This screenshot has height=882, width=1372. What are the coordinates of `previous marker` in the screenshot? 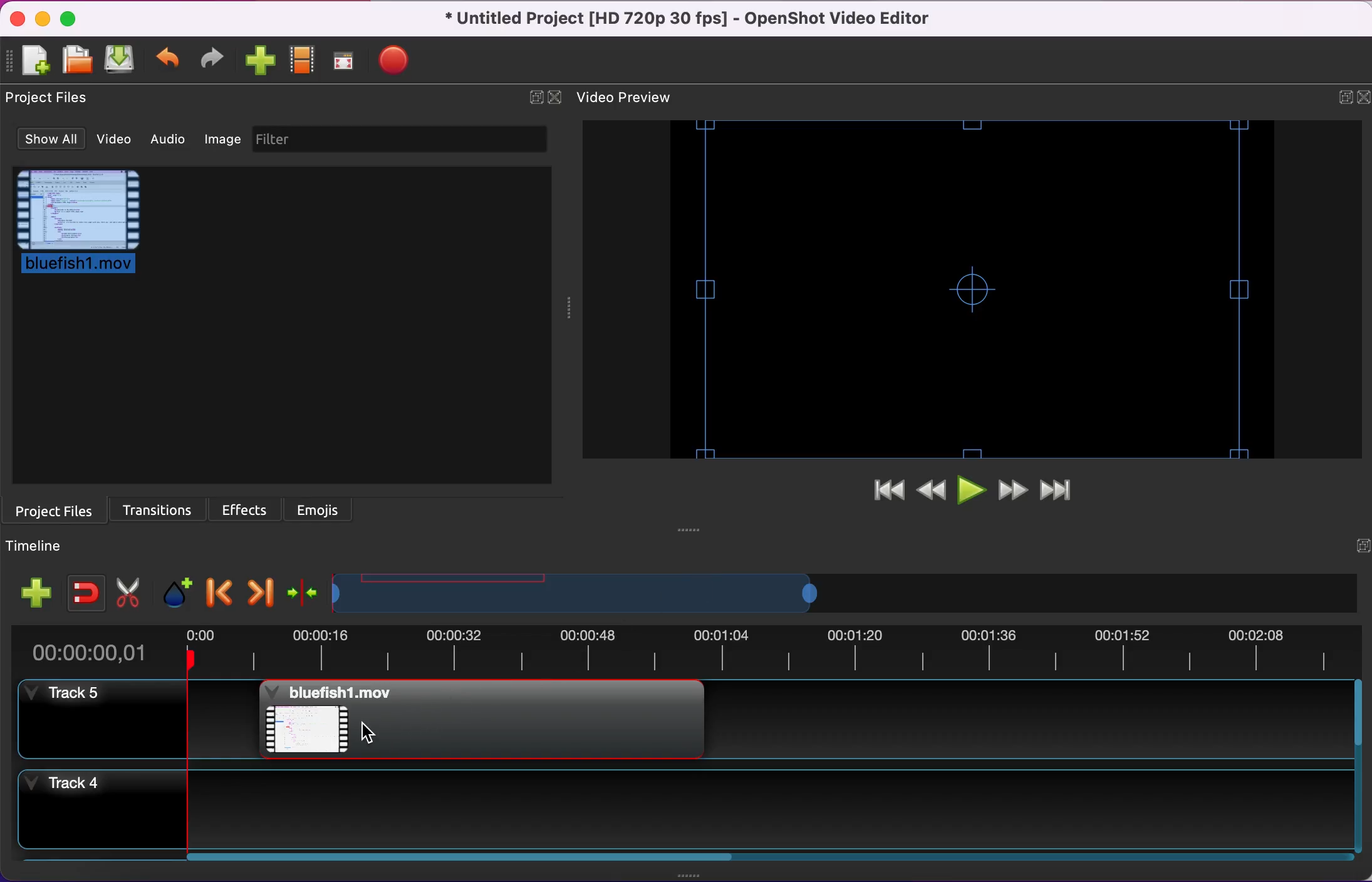 It's located at (221, 593).